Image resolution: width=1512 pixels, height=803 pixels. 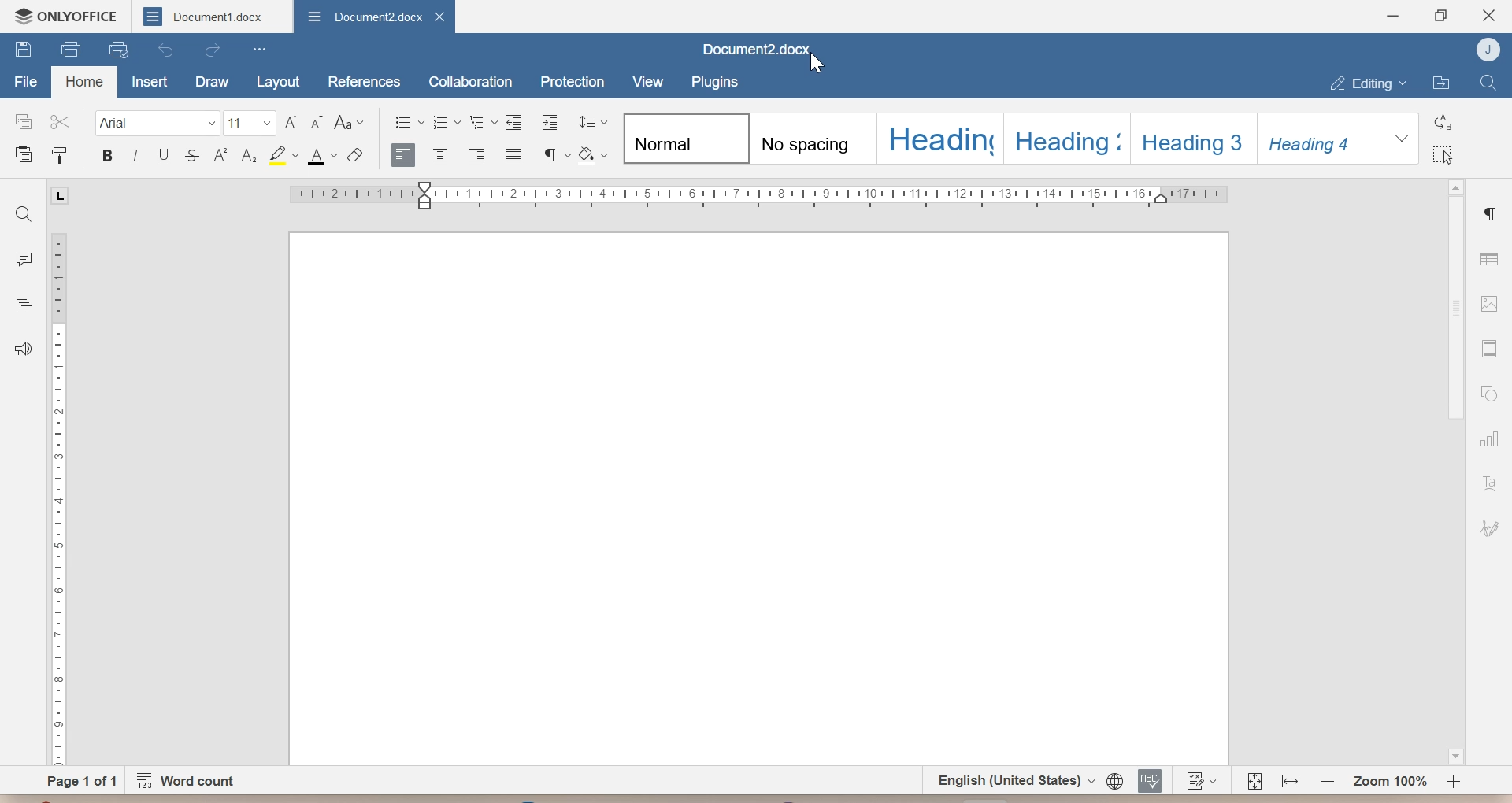 What do you see at coordinates (275, 83) in the screenshot?
I see `Layout` at bounding box center [275, 83].